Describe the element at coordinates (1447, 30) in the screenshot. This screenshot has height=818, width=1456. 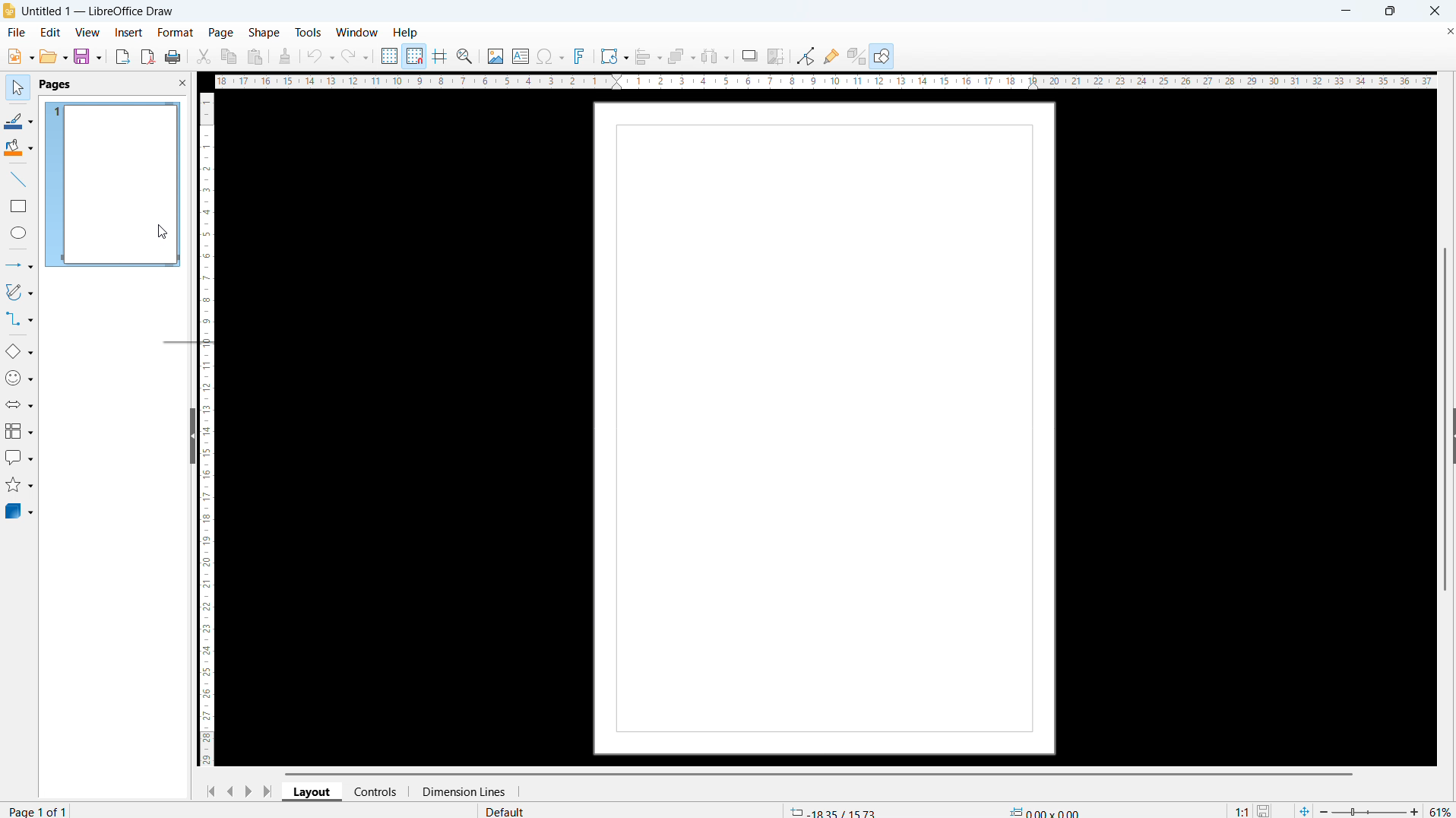
I see `Close document ` at that location.